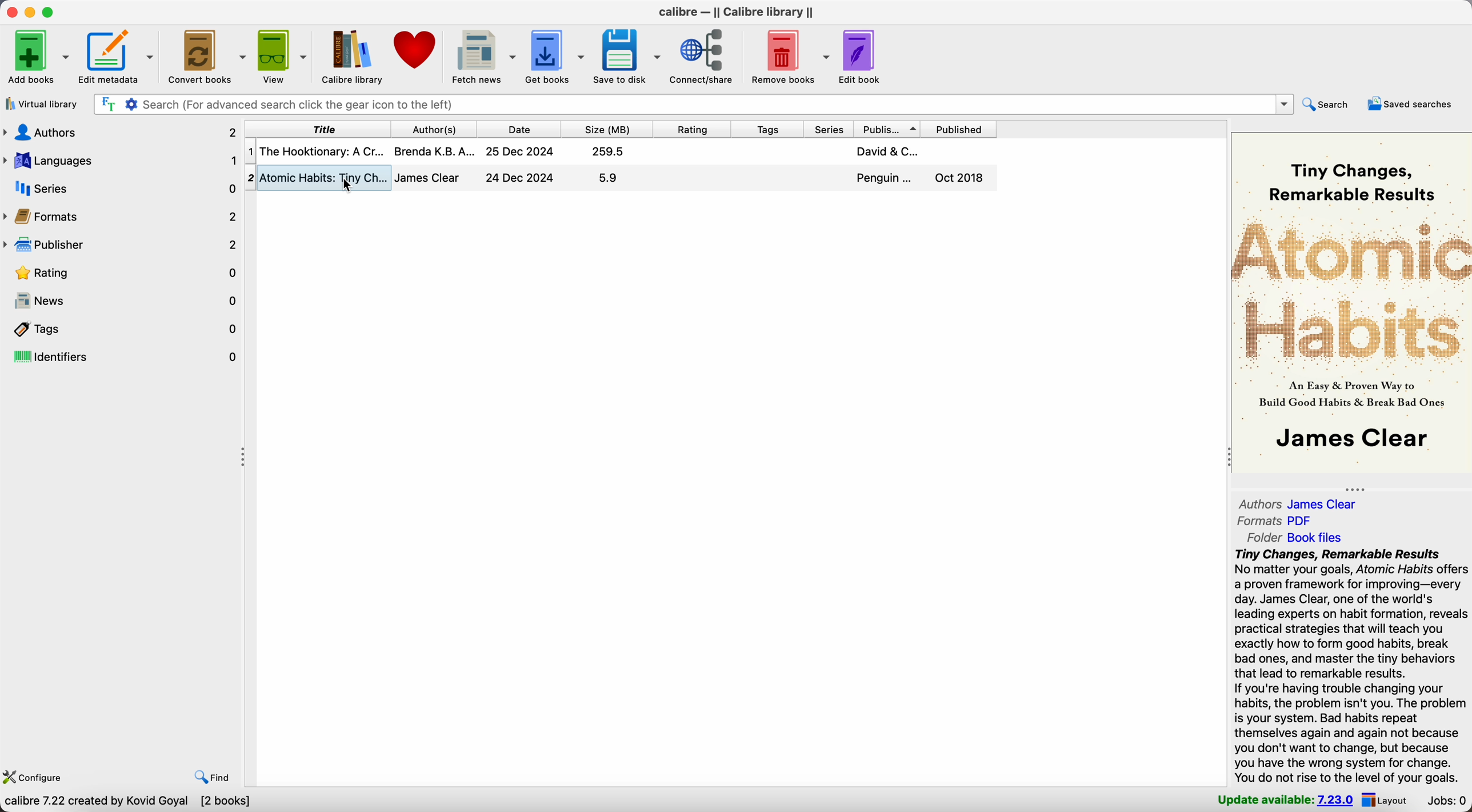 The image size is (1472, 812). I want to click on authors James Clear, so click(1298, 503).